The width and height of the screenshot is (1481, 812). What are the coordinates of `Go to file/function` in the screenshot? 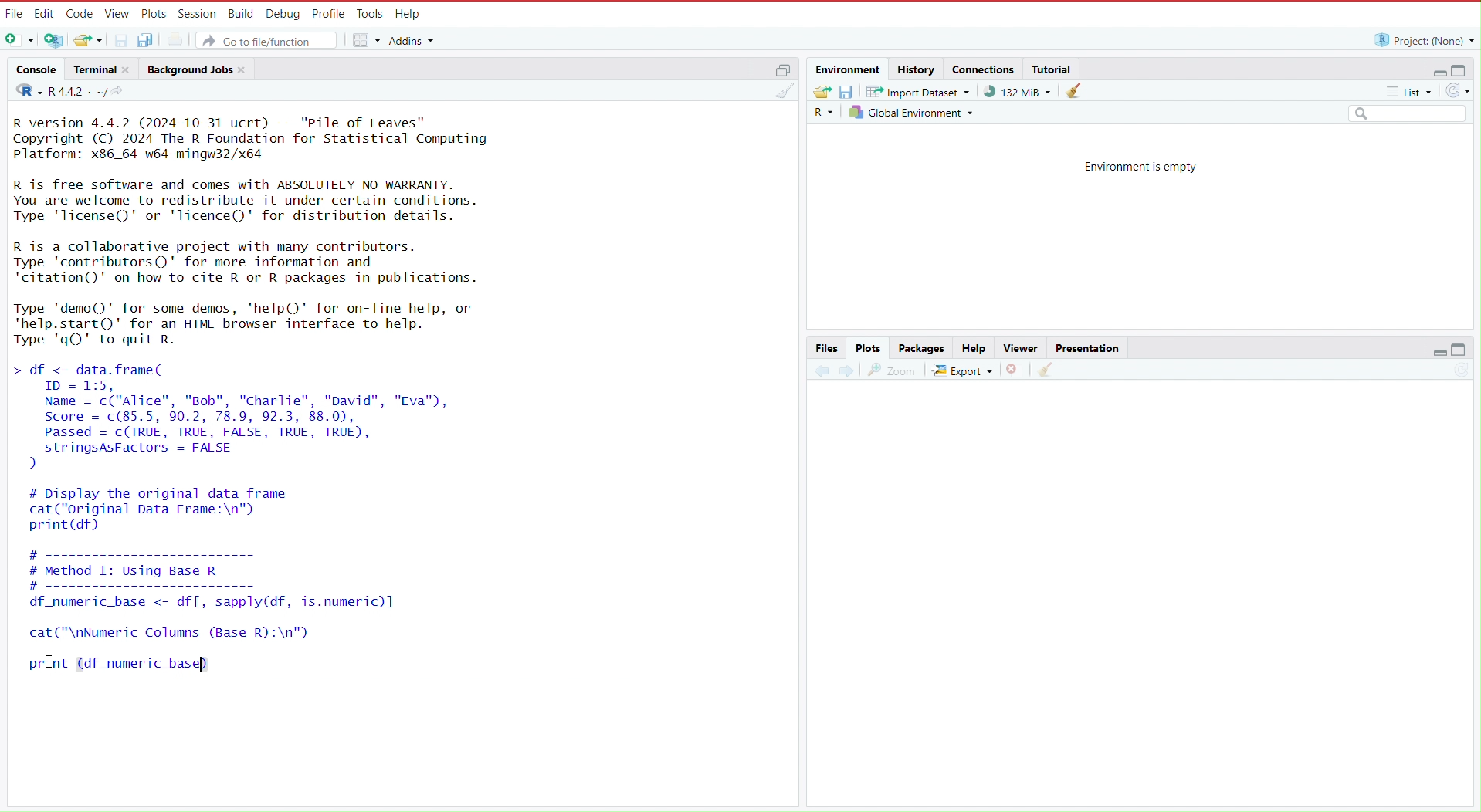 It's located at (269, 39).